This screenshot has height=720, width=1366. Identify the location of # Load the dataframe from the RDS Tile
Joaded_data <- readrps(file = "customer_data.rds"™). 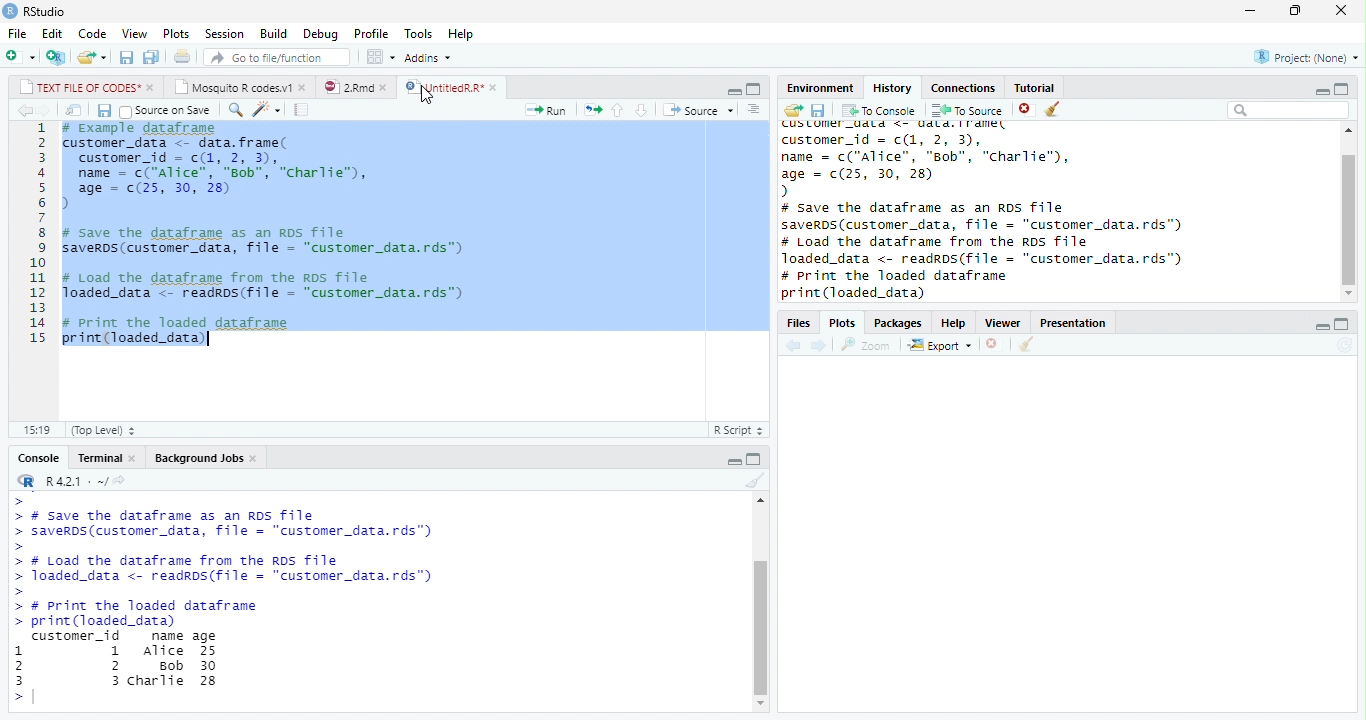
(993, 251).